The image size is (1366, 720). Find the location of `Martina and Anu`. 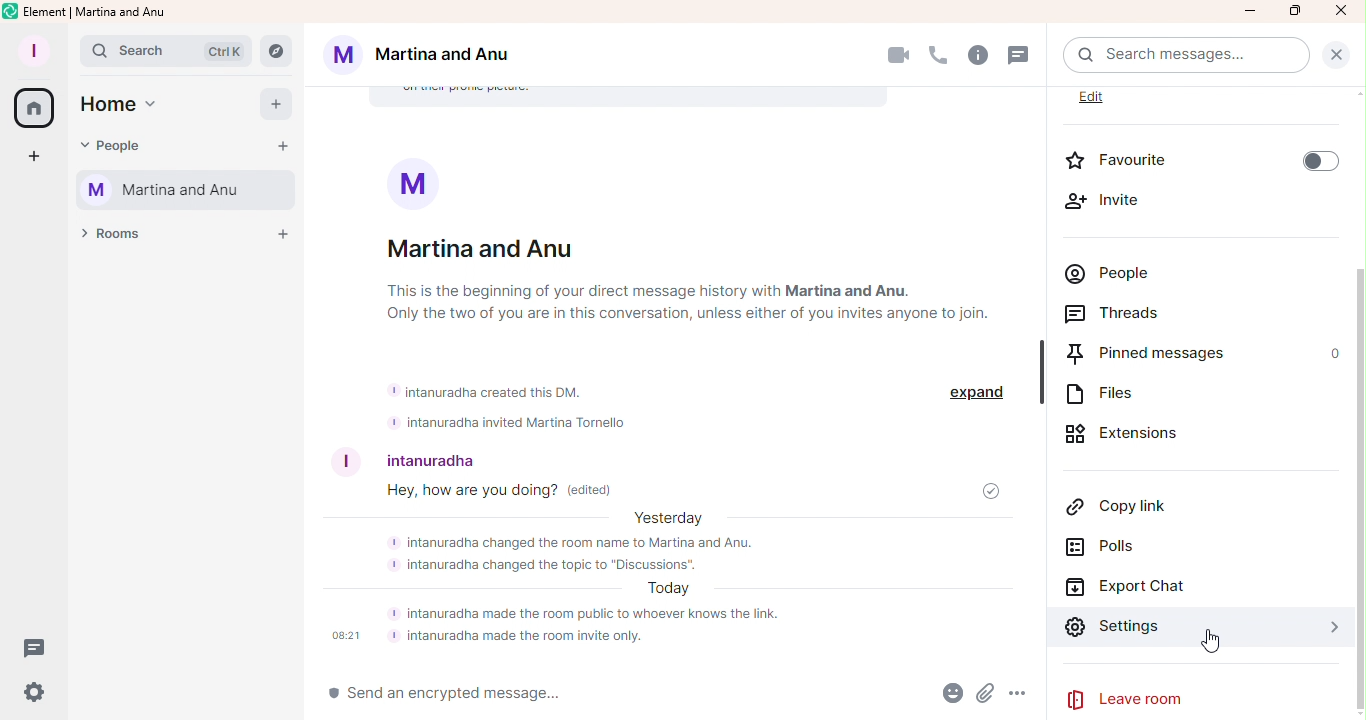

Martina and Anu is located at coordinates (434, 55).